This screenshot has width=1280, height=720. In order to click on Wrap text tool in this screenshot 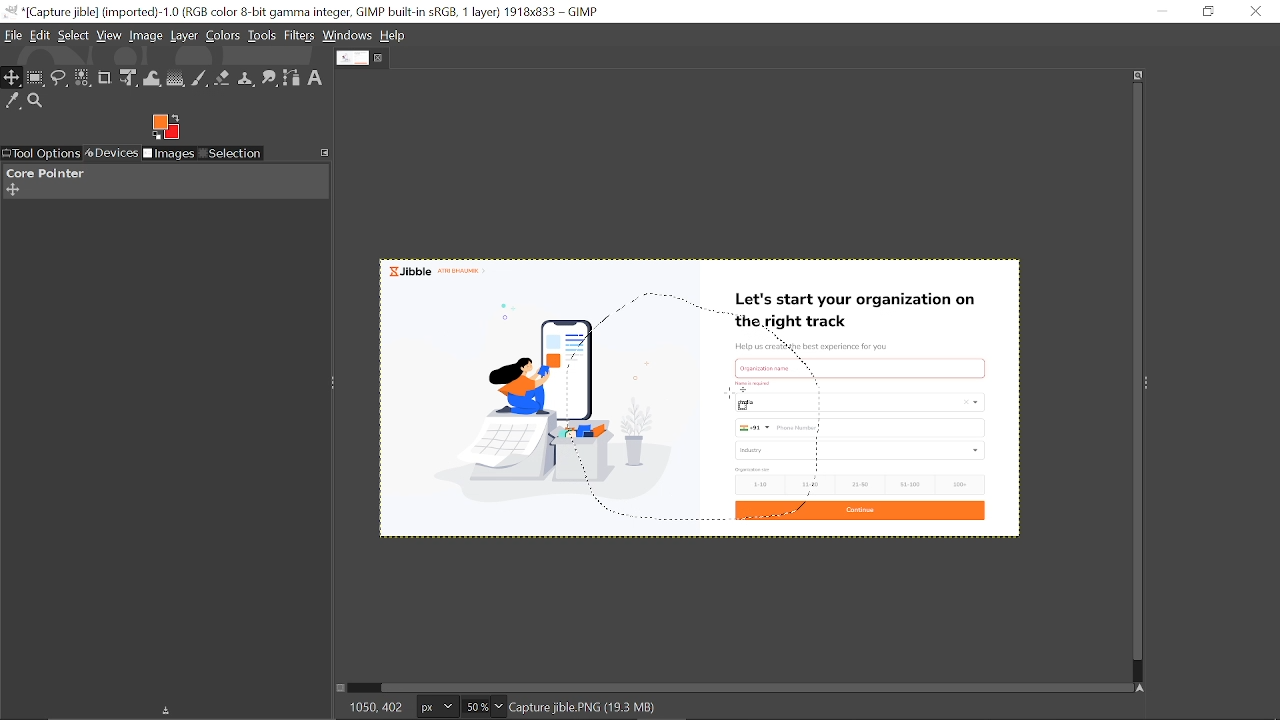, I will do `click(153, 79)`.